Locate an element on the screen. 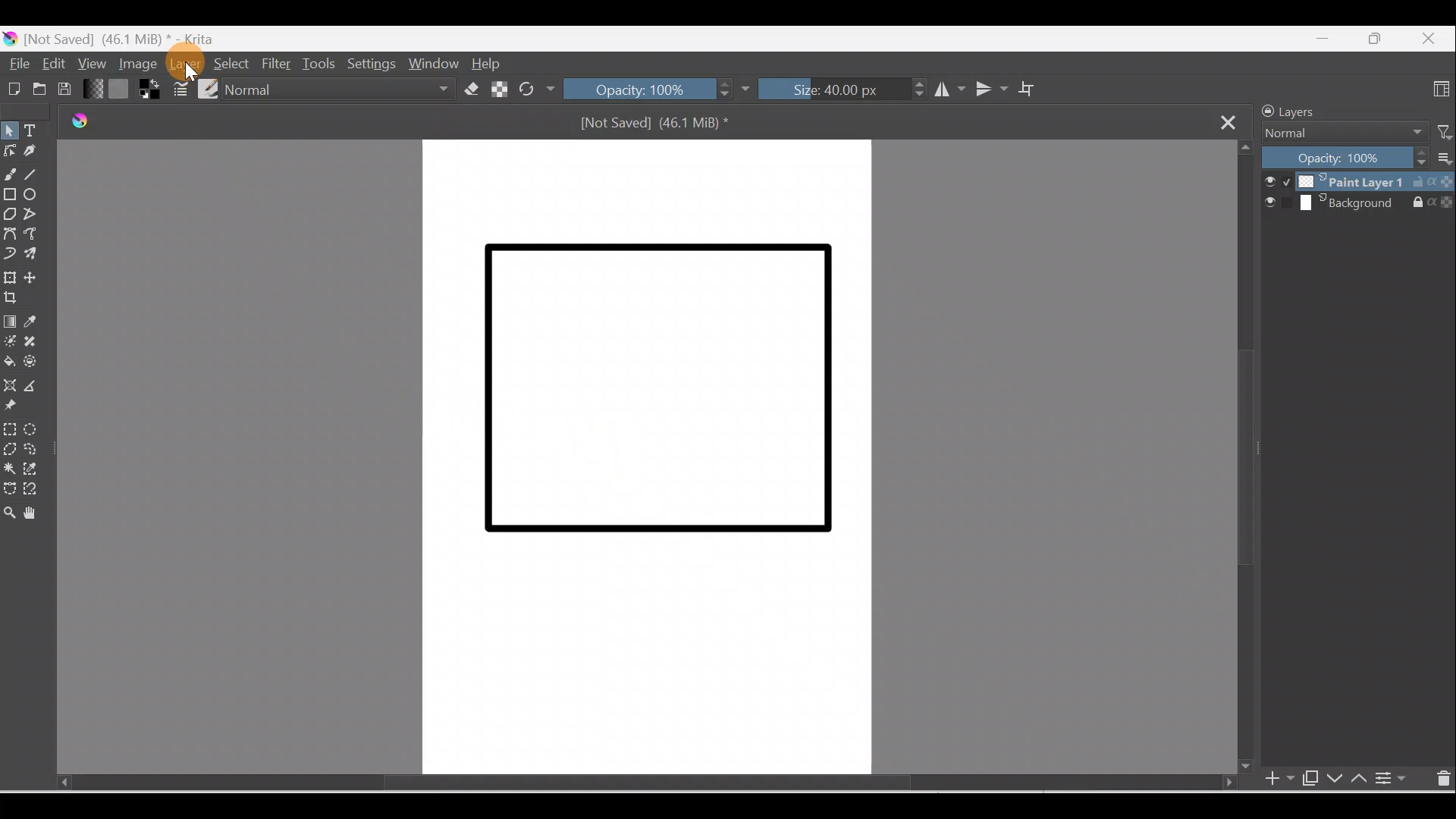  Minimize is located at coordinates (1318, 42).